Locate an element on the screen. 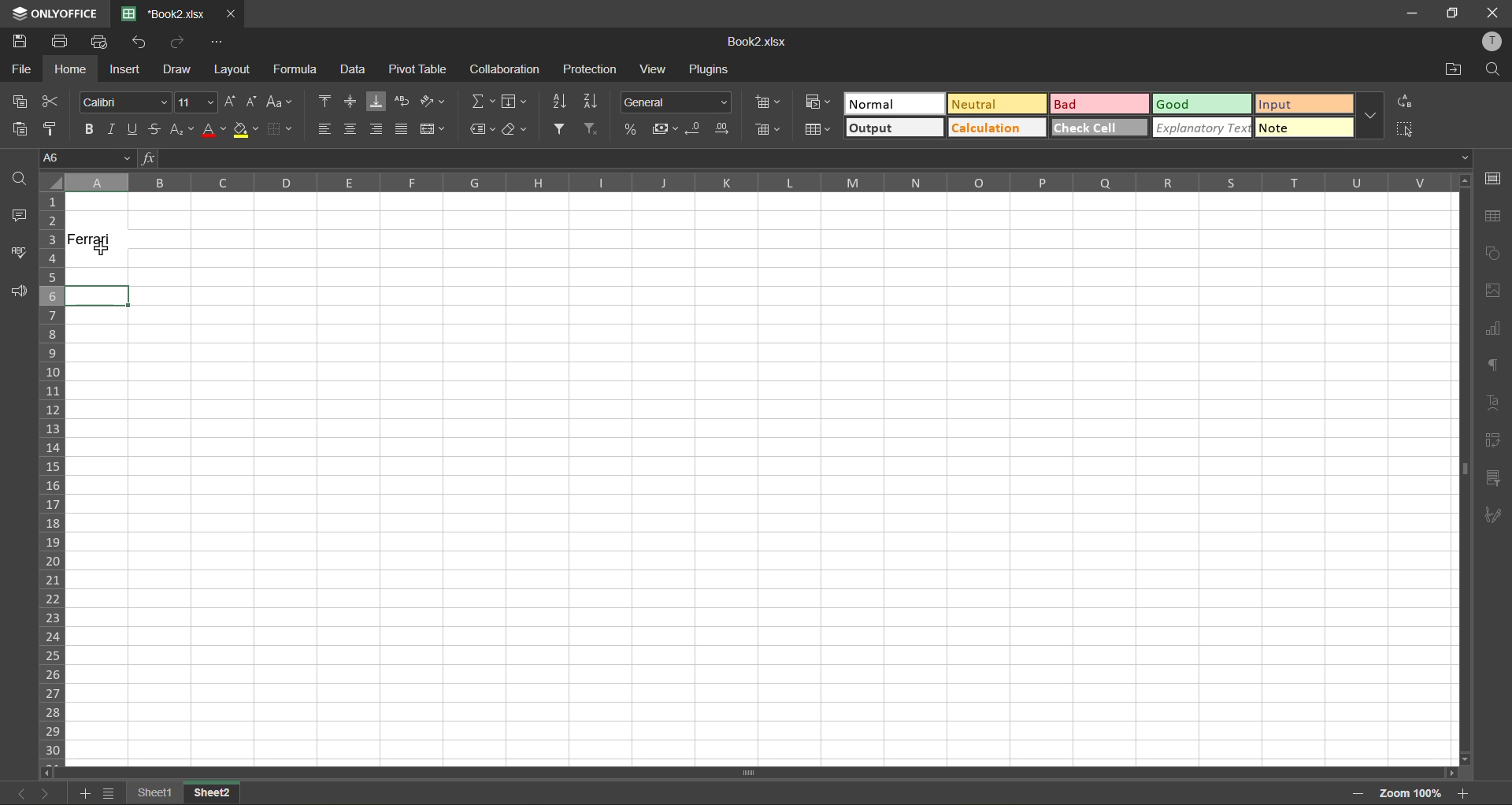 Image resolution: width=1512 pixels, height=805 pixels. sort ascending is located at coordinates (560, 102).